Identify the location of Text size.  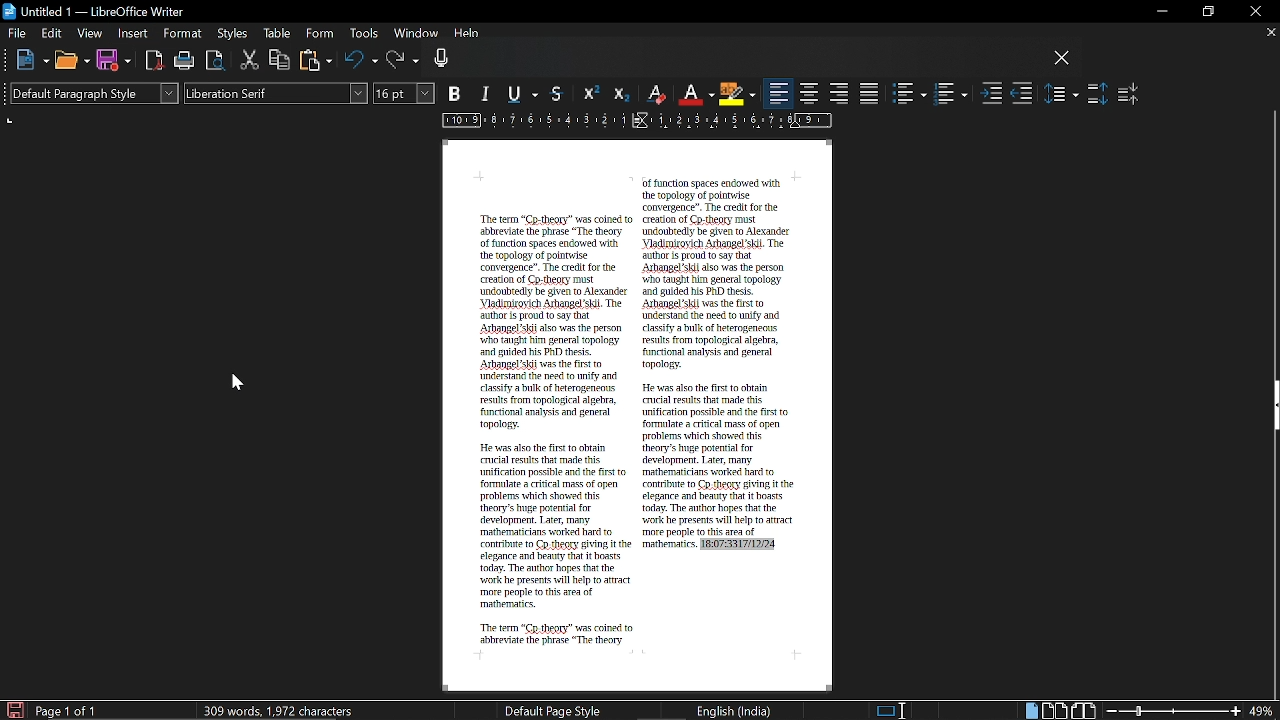
(405, 93).